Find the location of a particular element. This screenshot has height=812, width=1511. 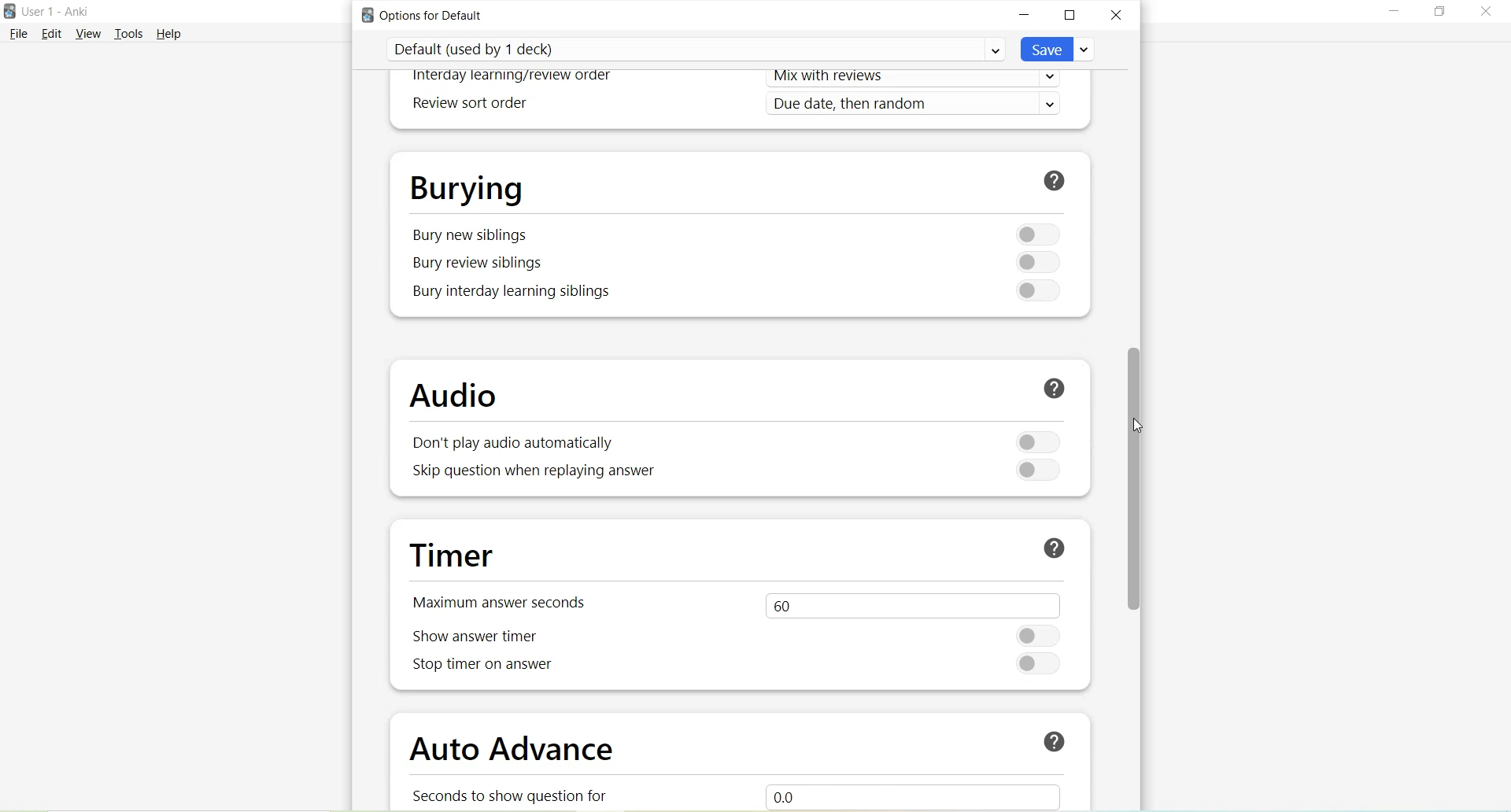

Toggle is located at coordinates (1040, 664).